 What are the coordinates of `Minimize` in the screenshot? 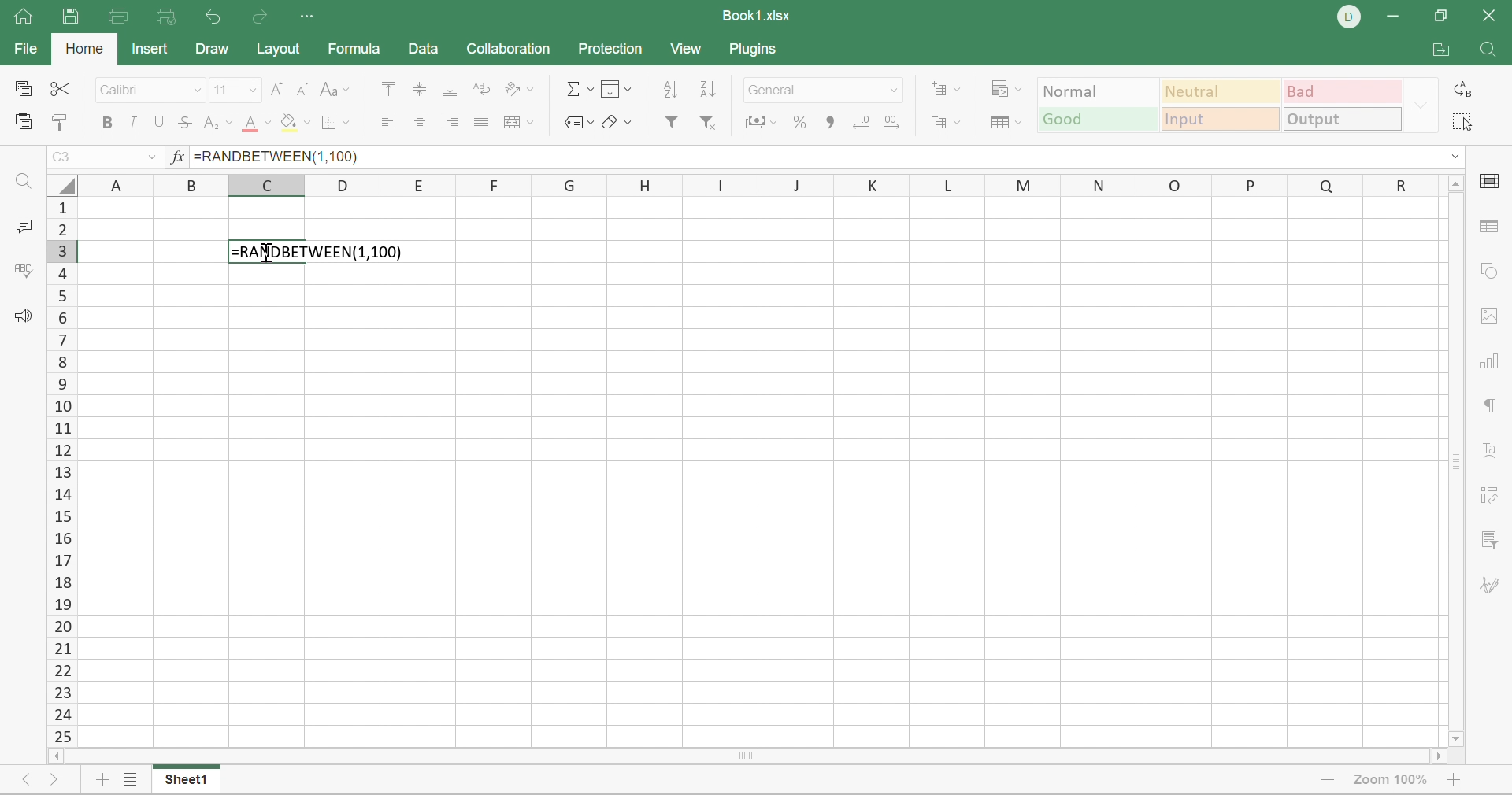 It's located at (1393, 15).